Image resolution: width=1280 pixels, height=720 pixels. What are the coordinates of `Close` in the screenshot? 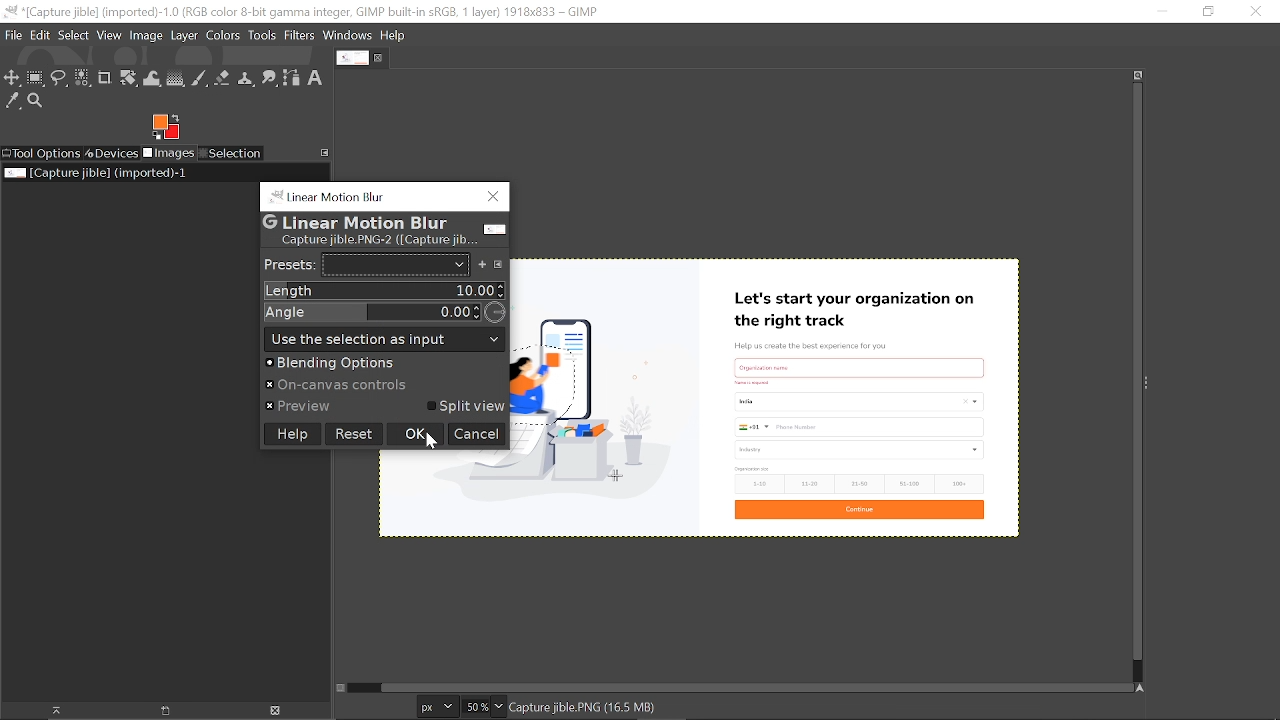 It's located at (492, 199).